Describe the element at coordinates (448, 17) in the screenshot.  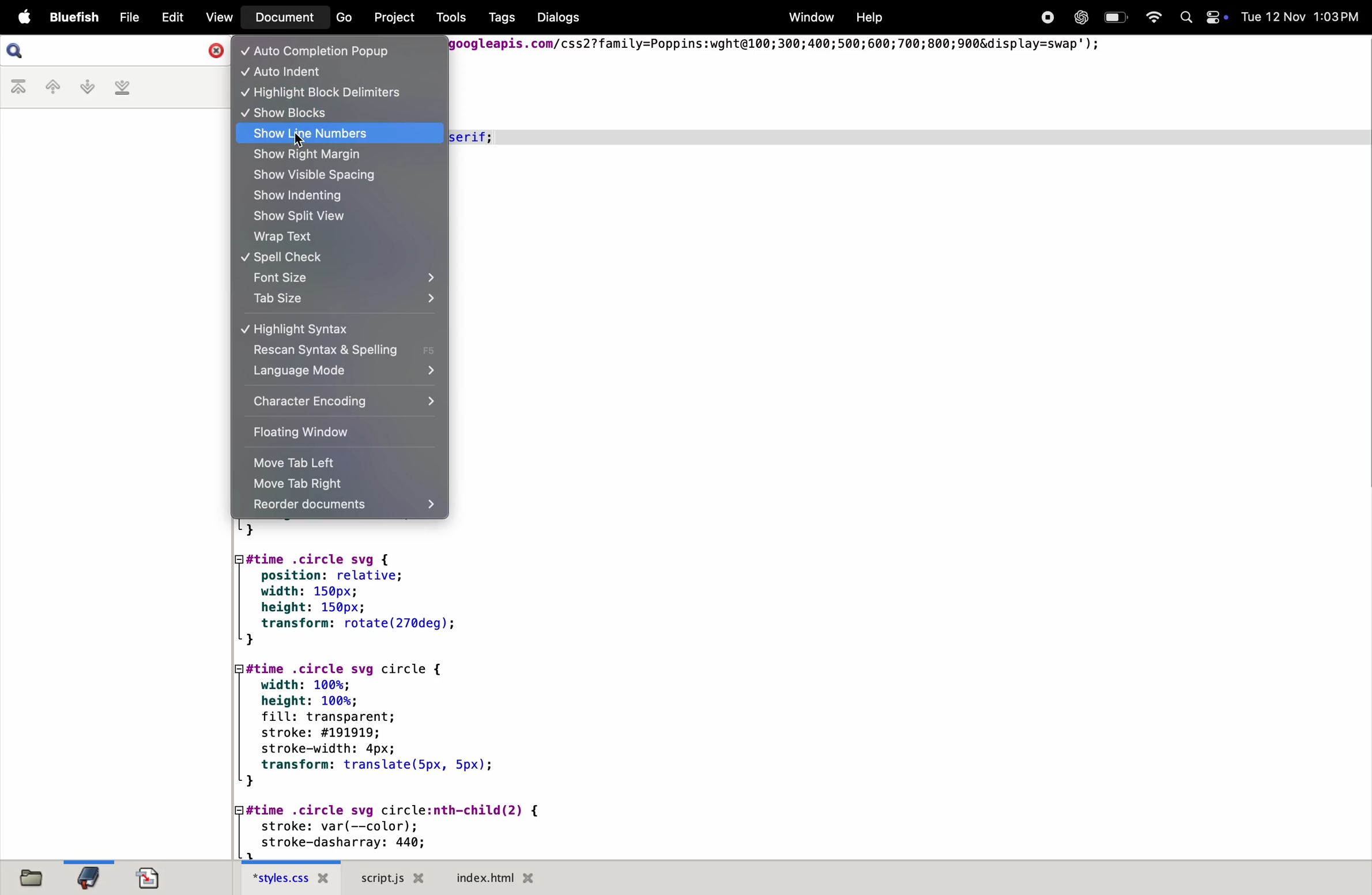
I see `Tools` at that location.